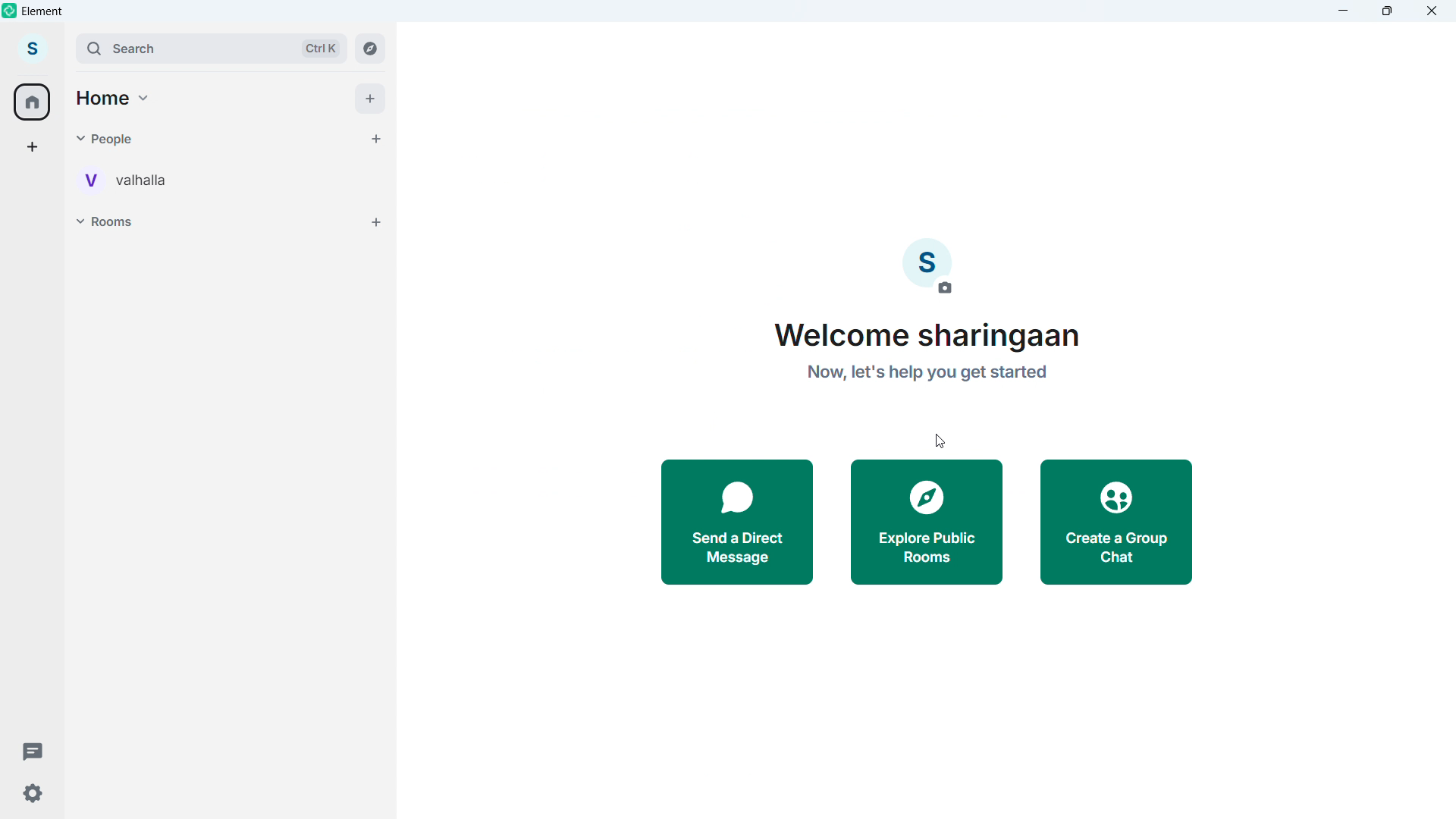  What do you see at coordinates (33, 49) in the screenshot?
I see `account` at bounding box center [33, 49].